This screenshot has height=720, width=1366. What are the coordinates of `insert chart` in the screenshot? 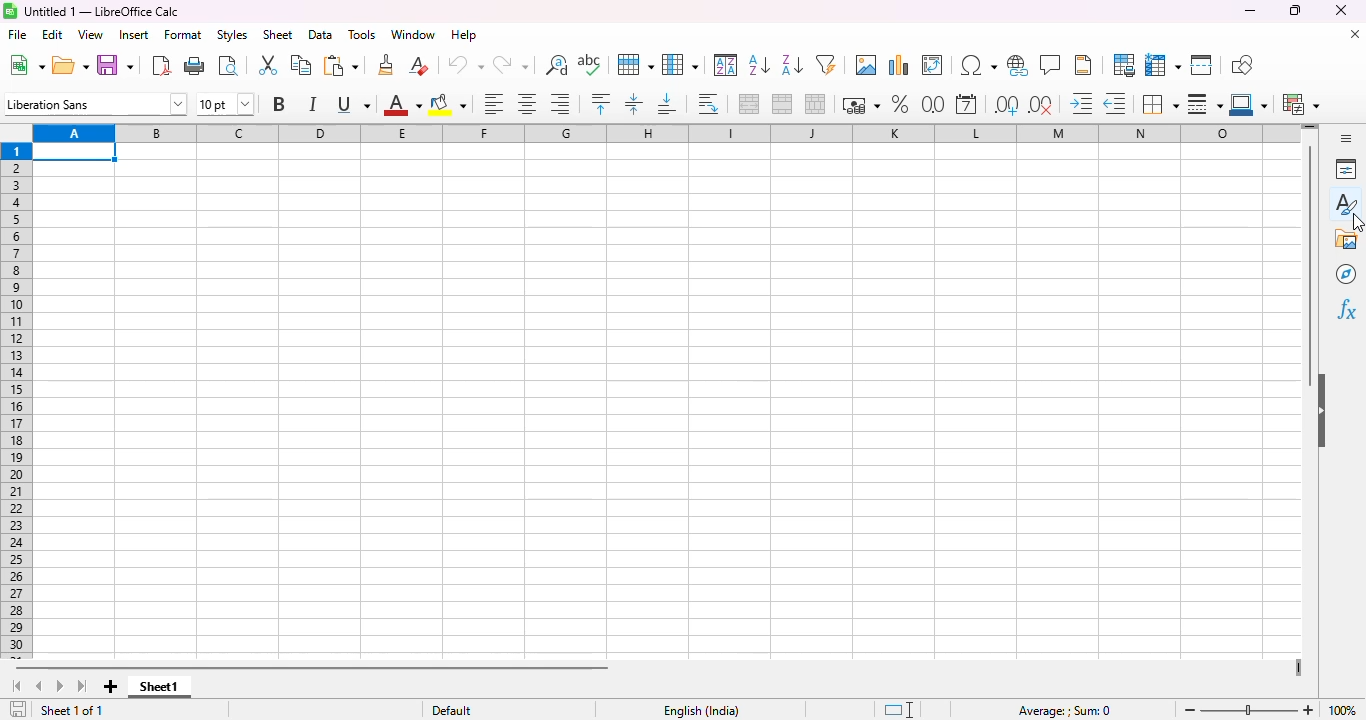 It's located at (899, 65).